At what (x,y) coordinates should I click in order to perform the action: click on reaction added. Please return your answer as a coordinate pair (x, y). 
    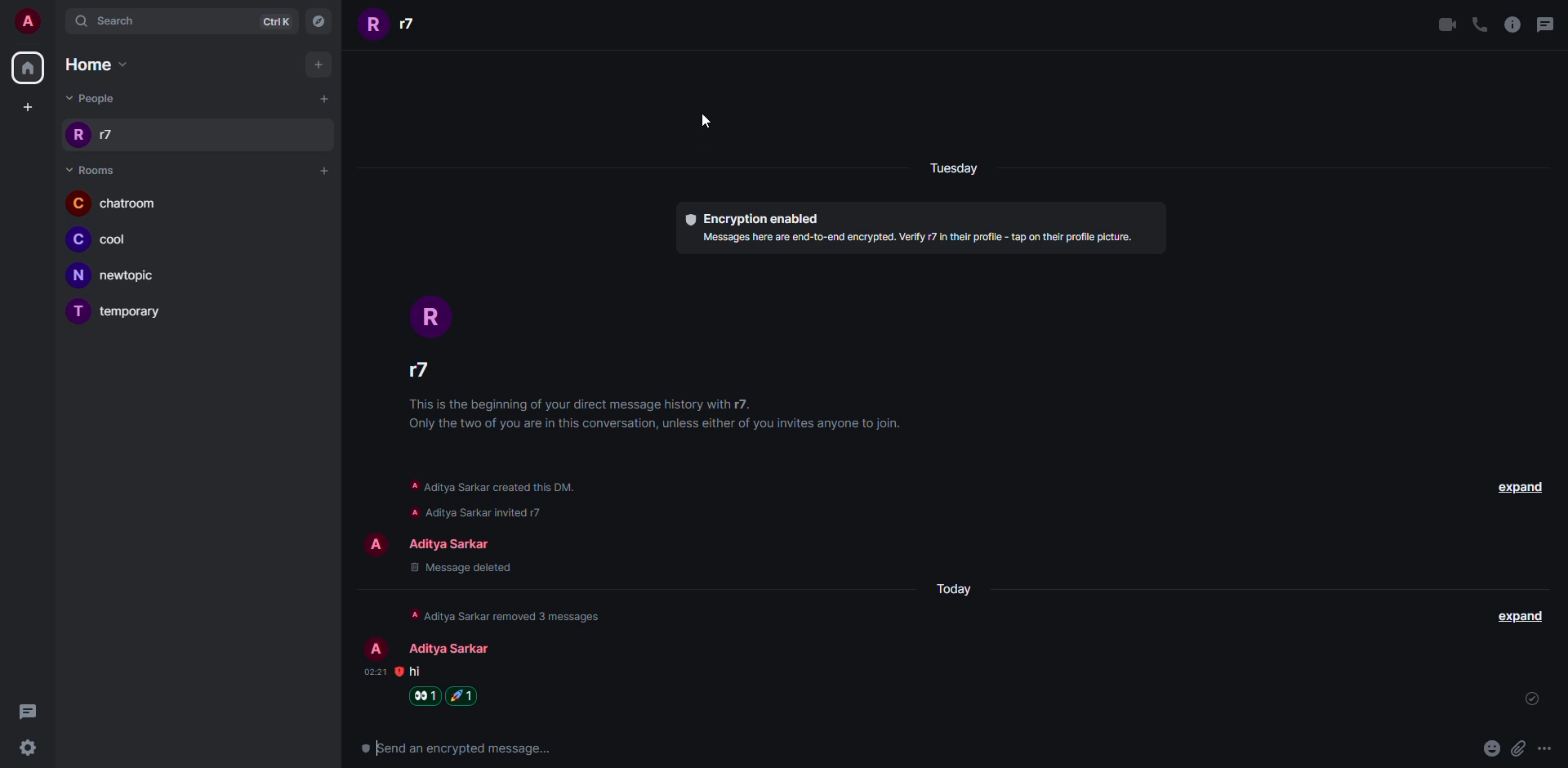
    Looking at the image, I should click on (427, 695).